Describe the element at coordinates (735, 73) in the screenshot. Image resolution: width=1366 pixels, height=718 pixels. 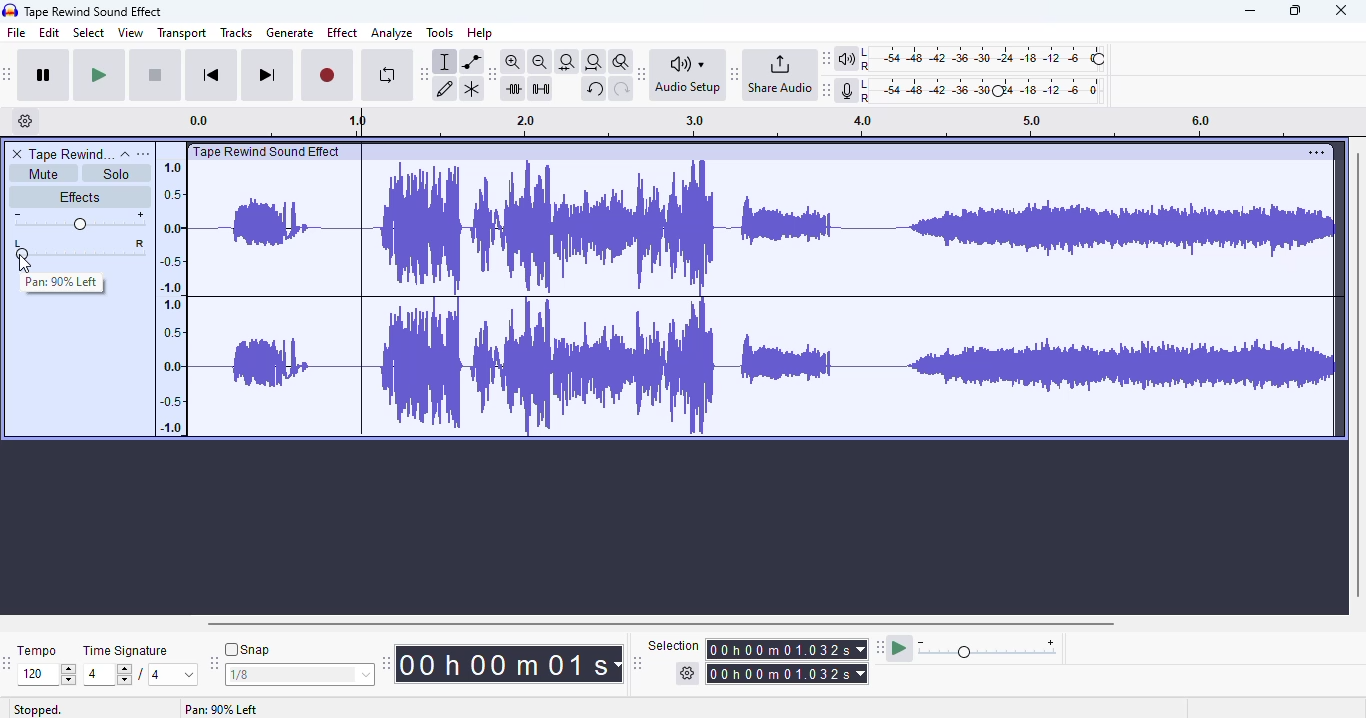
I see `audacity share audio toolbar` at that location.